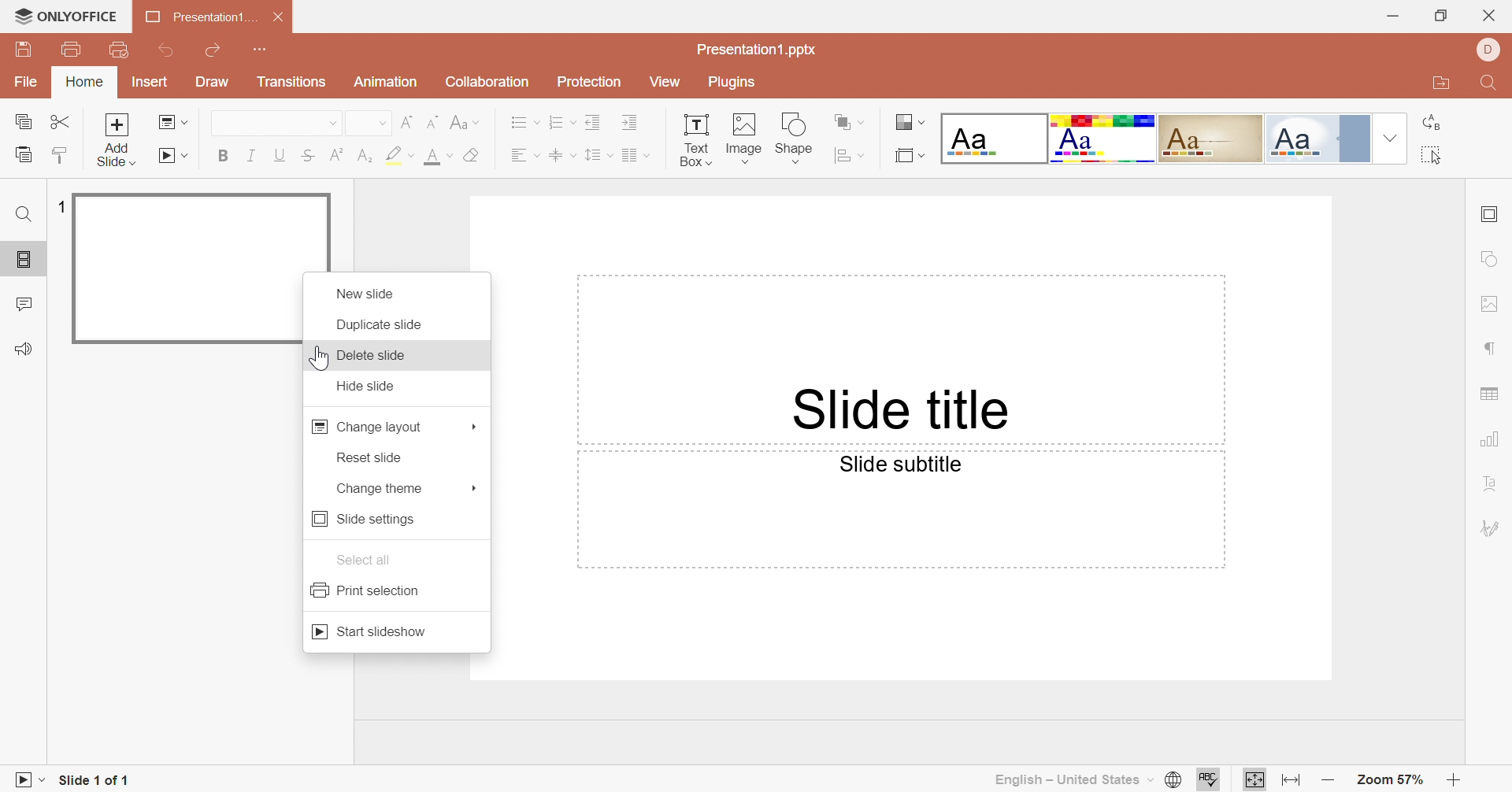 This screenshot has width=1512, height=792. What do you see at coordinates (610, 154) in the screenshot?
I see `Drop Down` at bounding box center [610, 154].